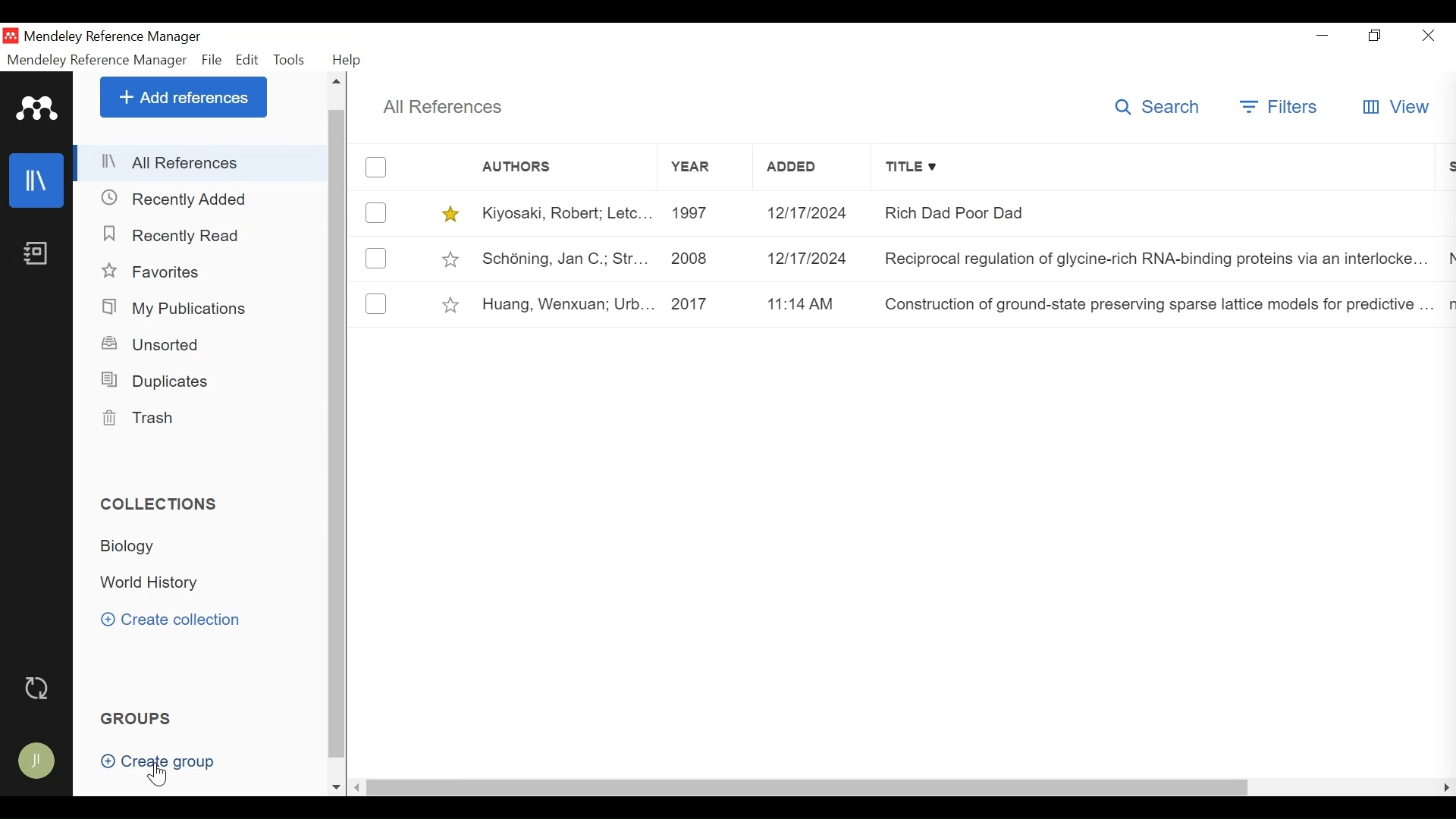 The height and width of the screenshot is (819, 1456). Describe the element at coordinates (811, 788) in the screenshot. I see `Horizontal Scroll bar` at that location.